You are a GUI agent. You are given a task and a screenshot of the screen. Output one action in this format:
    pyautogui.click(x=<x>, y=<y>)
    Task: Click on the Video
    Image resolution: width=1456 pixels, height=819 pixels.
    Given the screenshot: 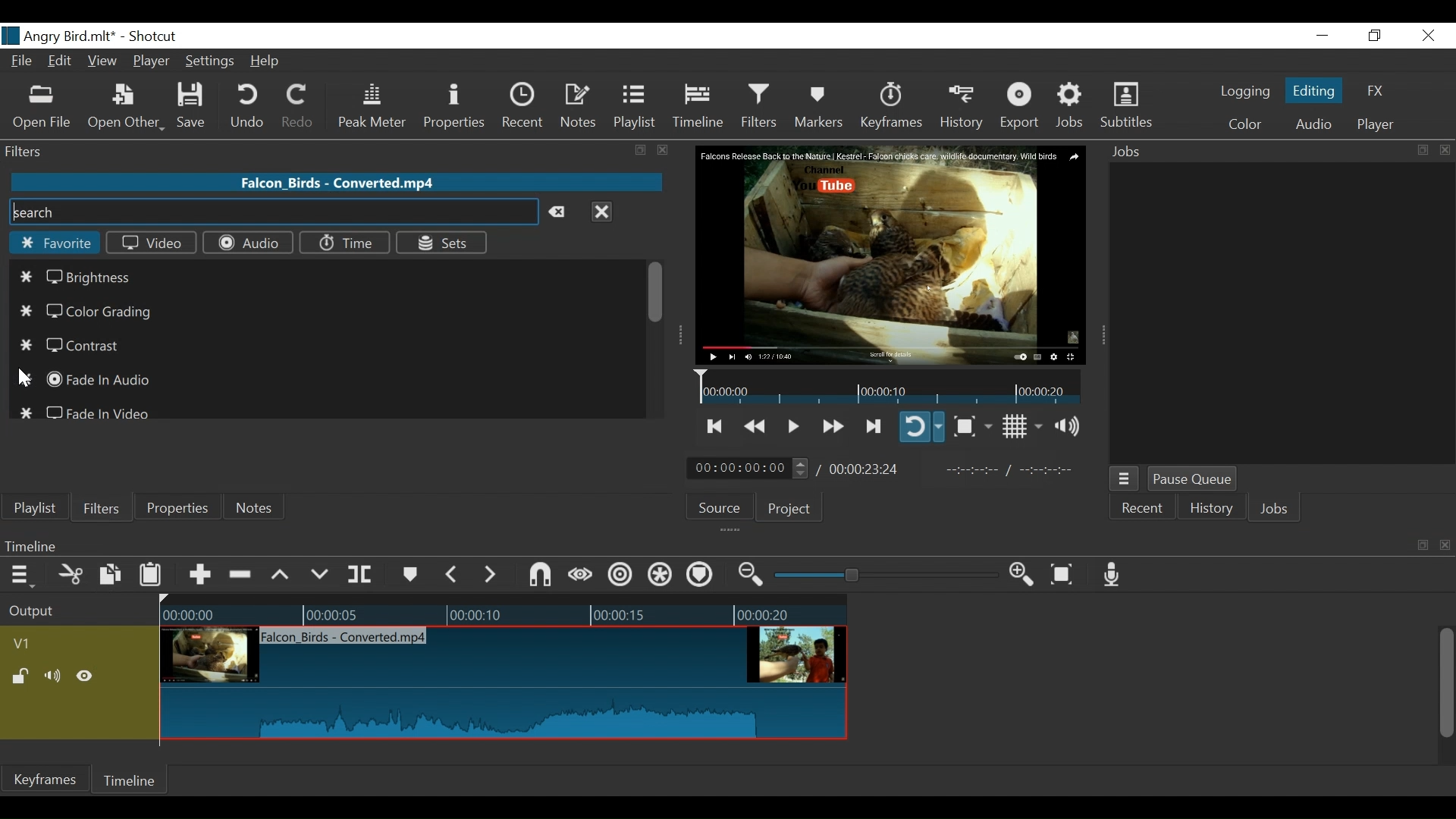 What is the action you would take?
    pyautogui.click(x=152, y=242)
    